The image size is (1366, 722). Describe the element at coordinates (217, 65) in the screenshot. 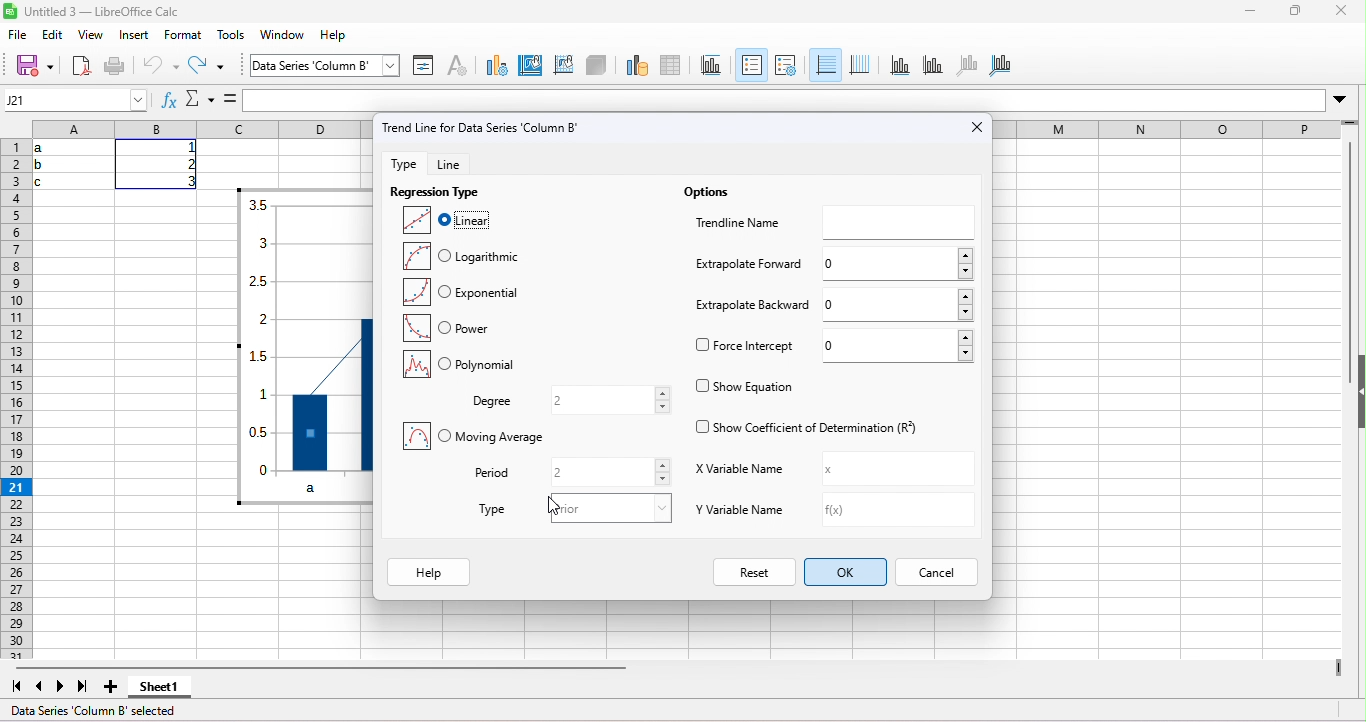

I see `redo` at that location.